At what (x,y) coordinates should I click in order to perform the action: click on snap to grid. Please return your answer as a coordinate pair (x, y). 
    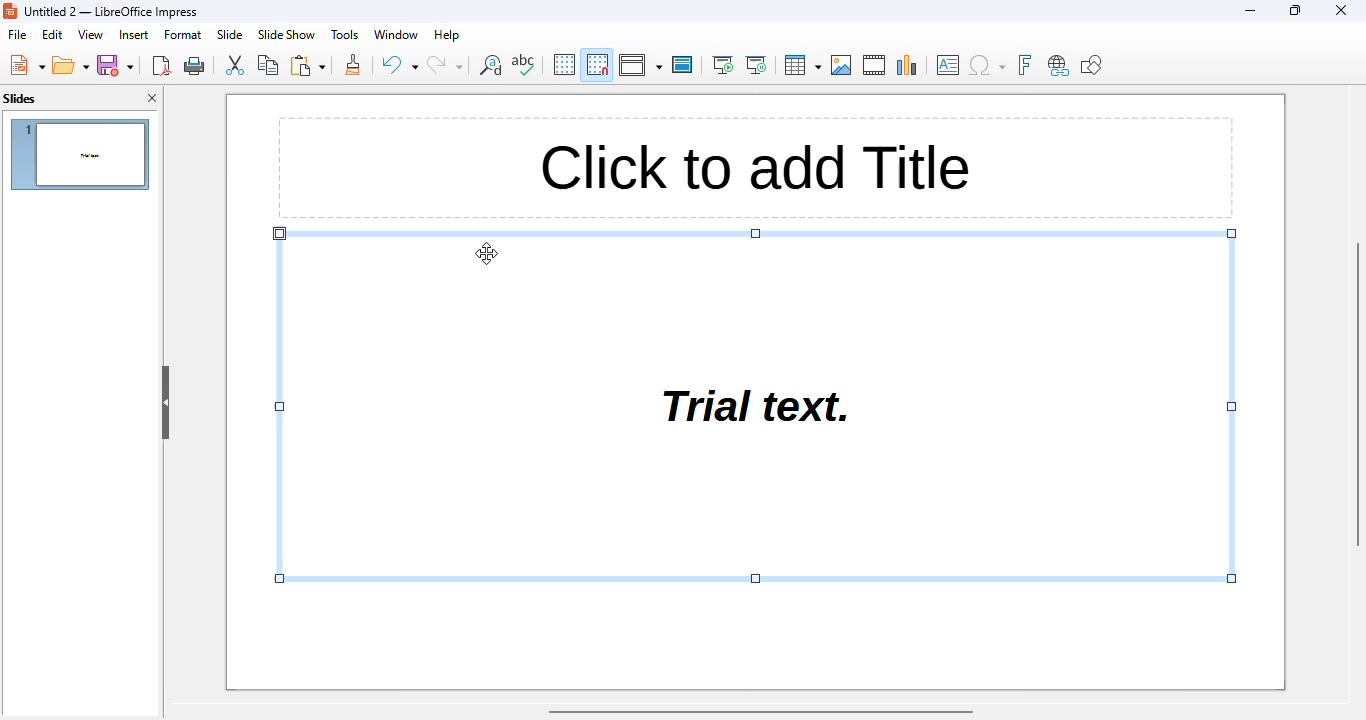
    Looking at the image, I should click on (598, 64).